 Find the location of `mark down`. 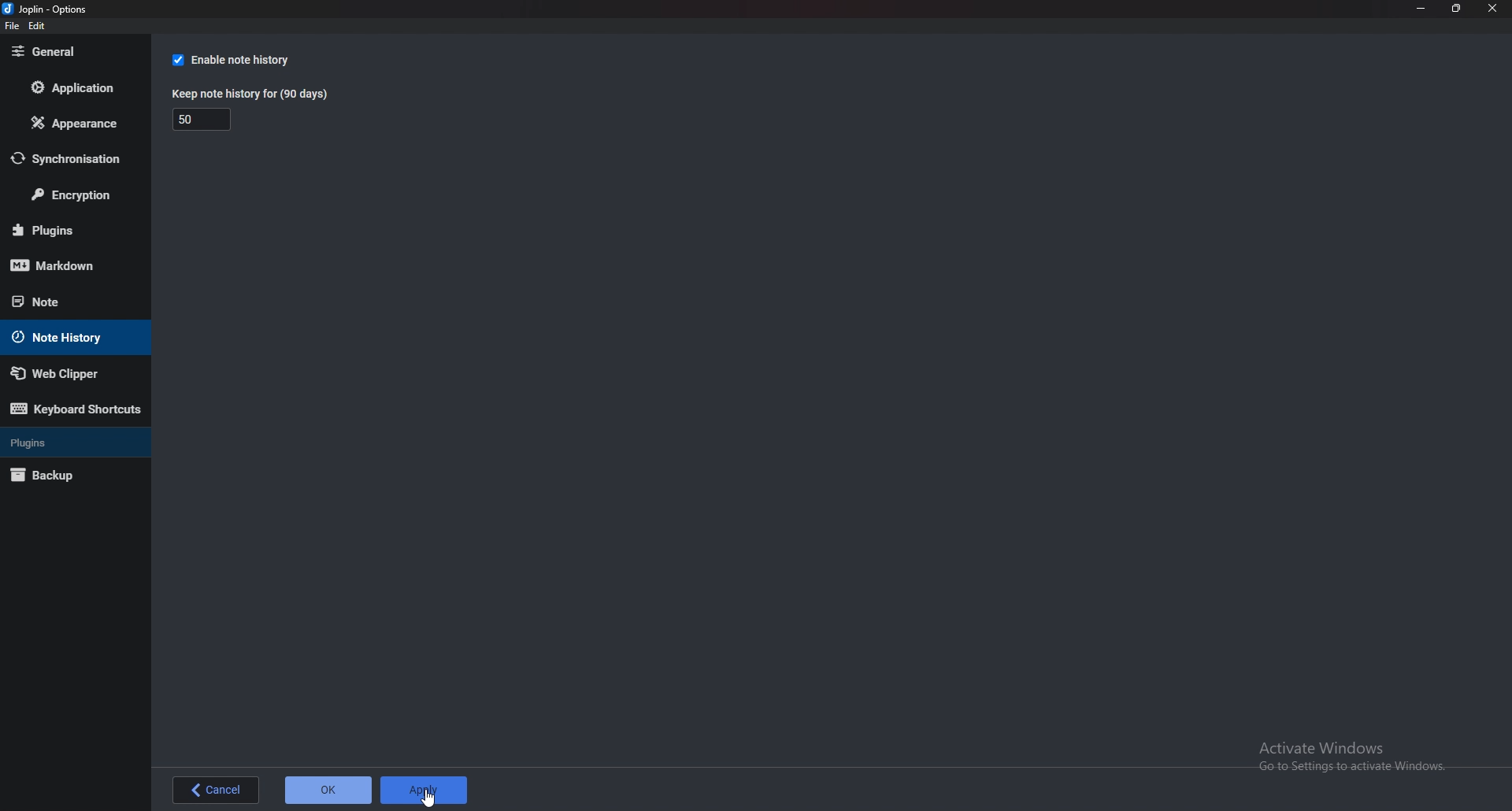

mark down is located at coordinates (70, 267).